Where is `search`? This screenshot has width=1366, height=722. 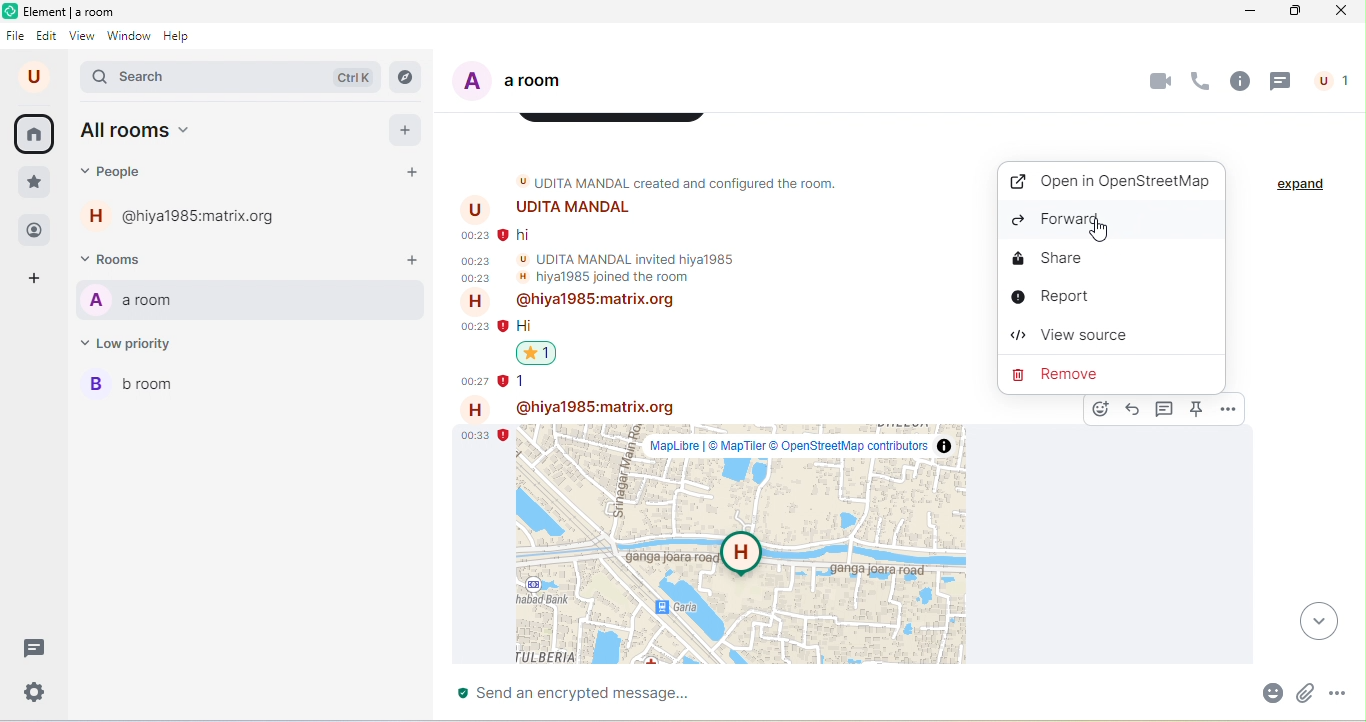
search is located at coordinates (230, 79).